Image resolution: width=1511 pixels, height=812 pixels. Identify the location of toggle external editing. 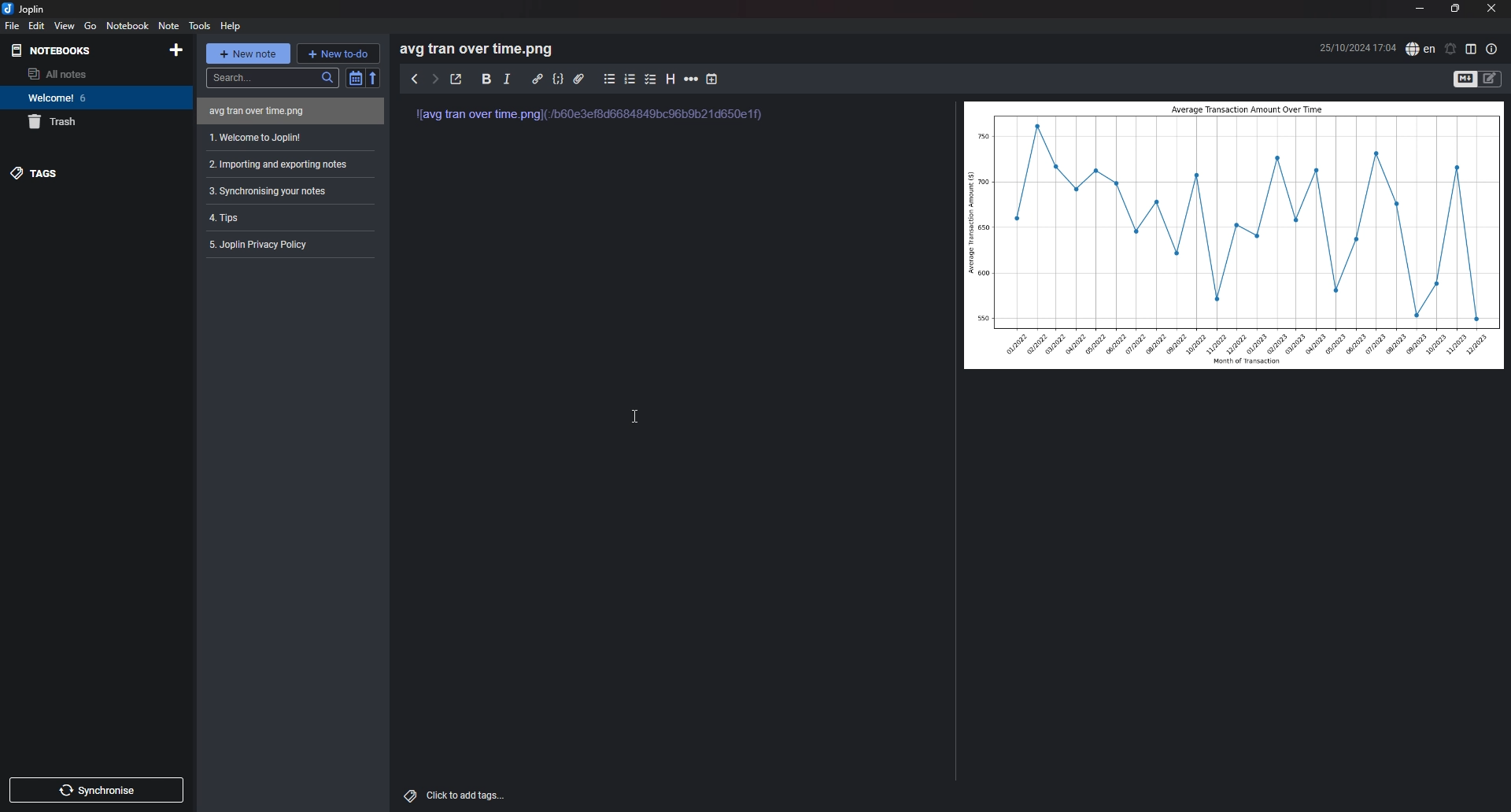
(457, 79).